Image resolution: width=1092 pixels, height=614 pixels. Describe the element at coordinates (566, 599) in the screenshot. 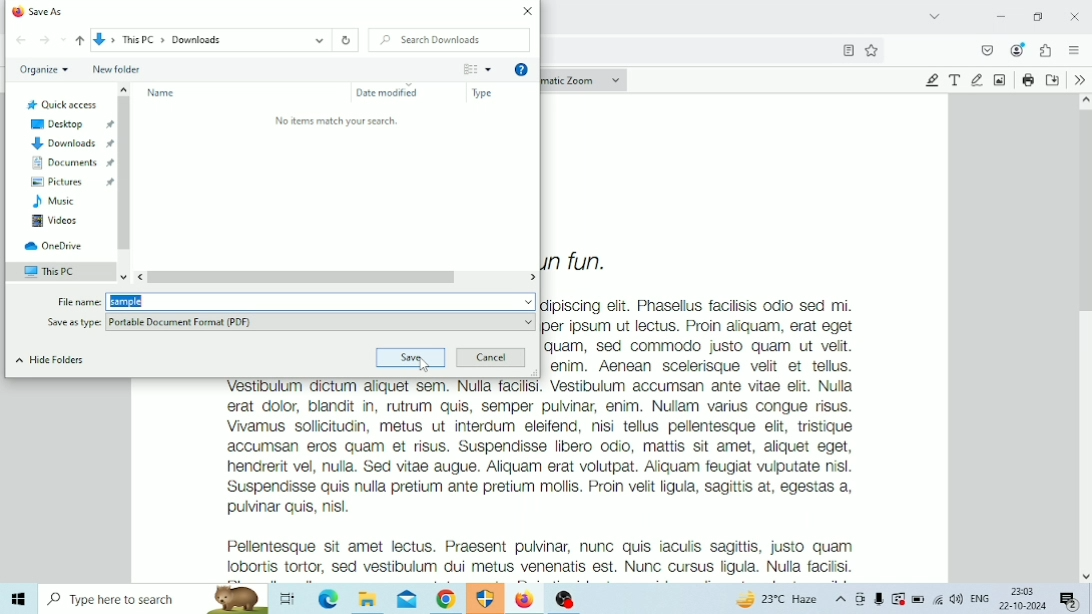

I see `OBS Studio` at that location.